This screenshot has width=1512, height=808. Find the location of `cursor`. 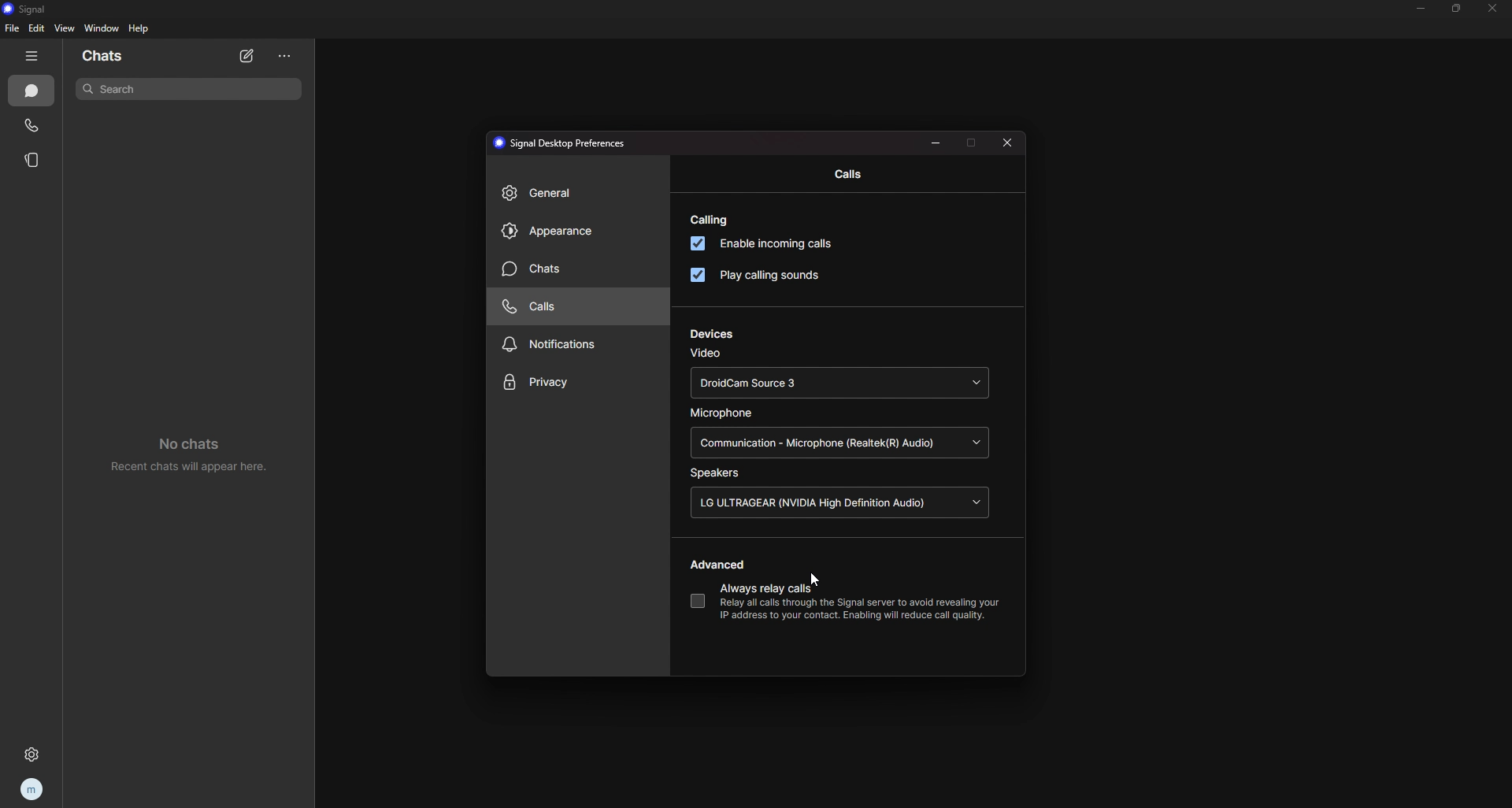

cursor is located at coordinates (819, 578).